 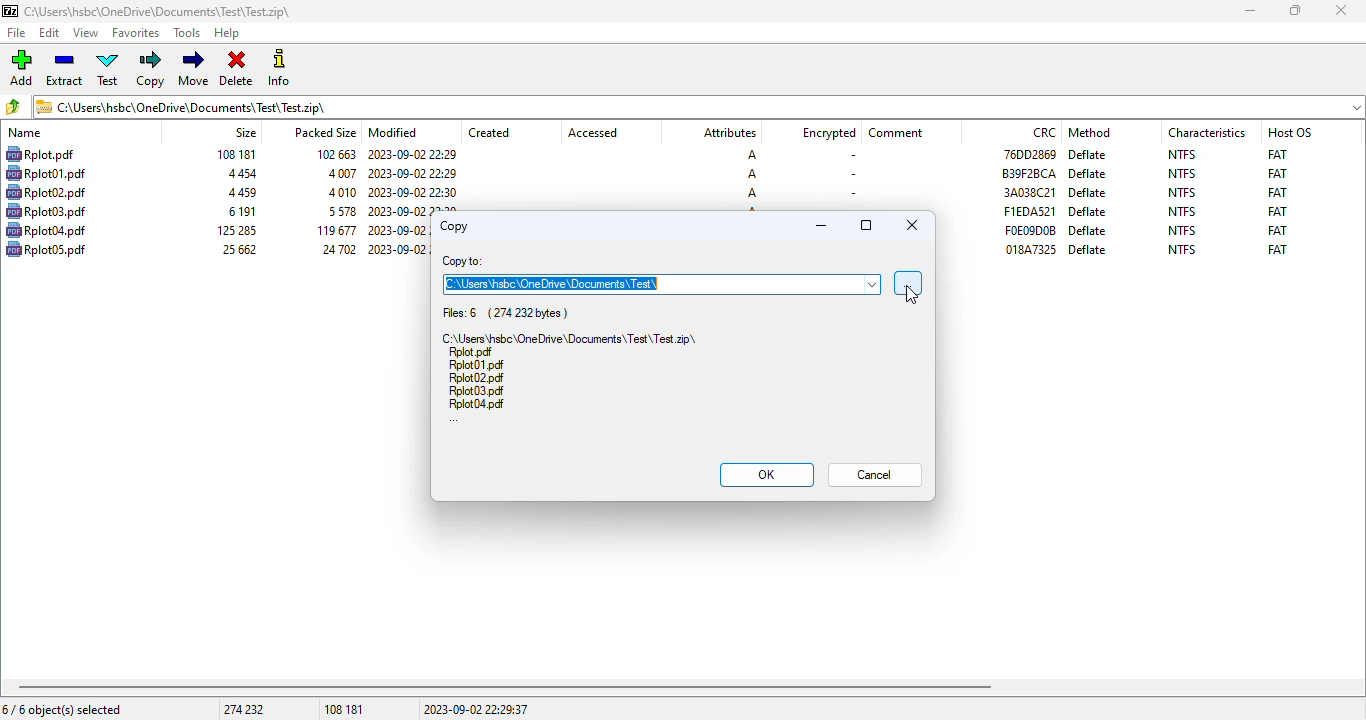 What do you see at coordinates (910, 295) in the screenshot?
I see `cursor` at bounding box center [910, 295].